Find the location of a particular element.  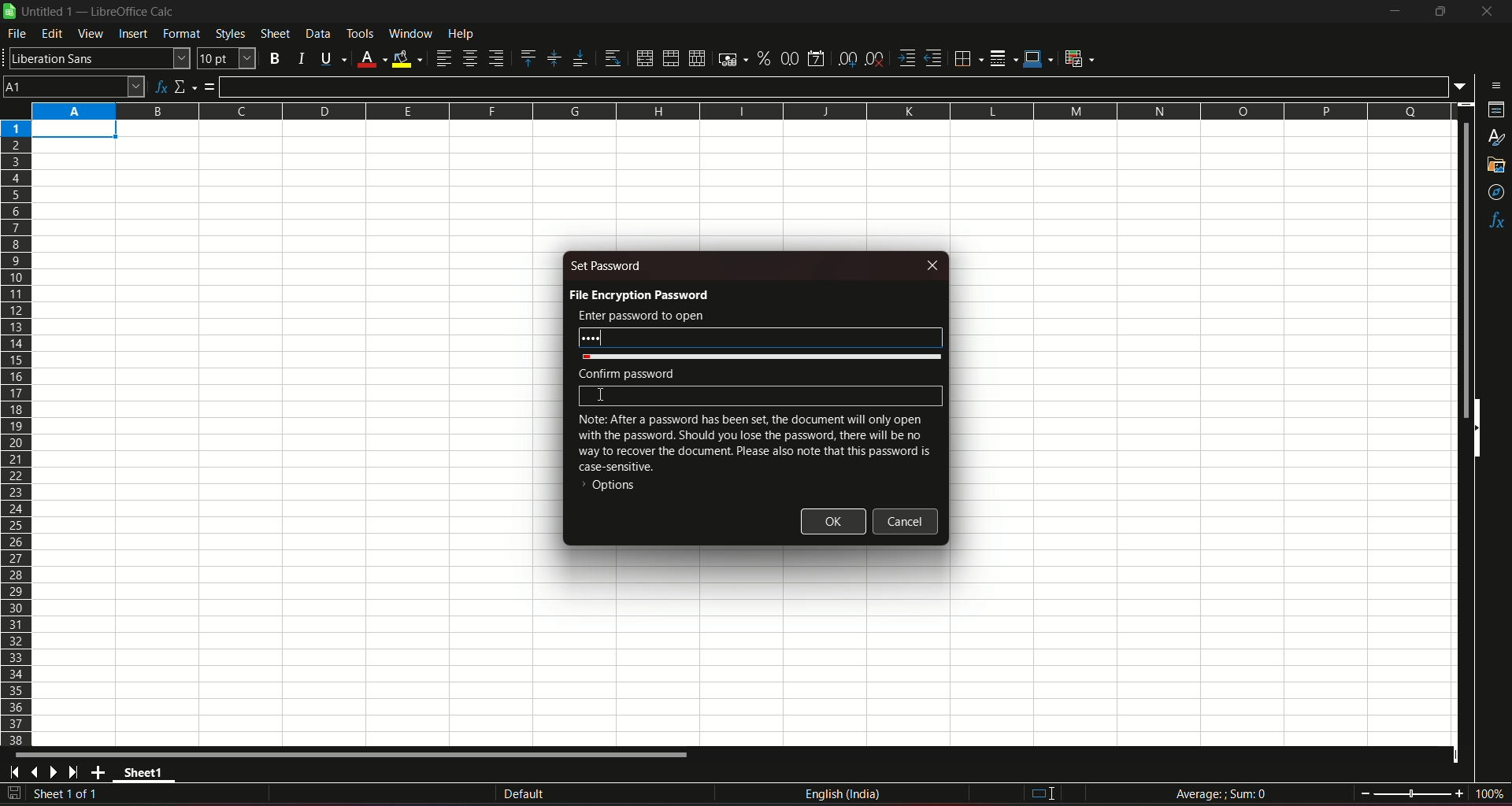

close is located at coordinates (934, 264).